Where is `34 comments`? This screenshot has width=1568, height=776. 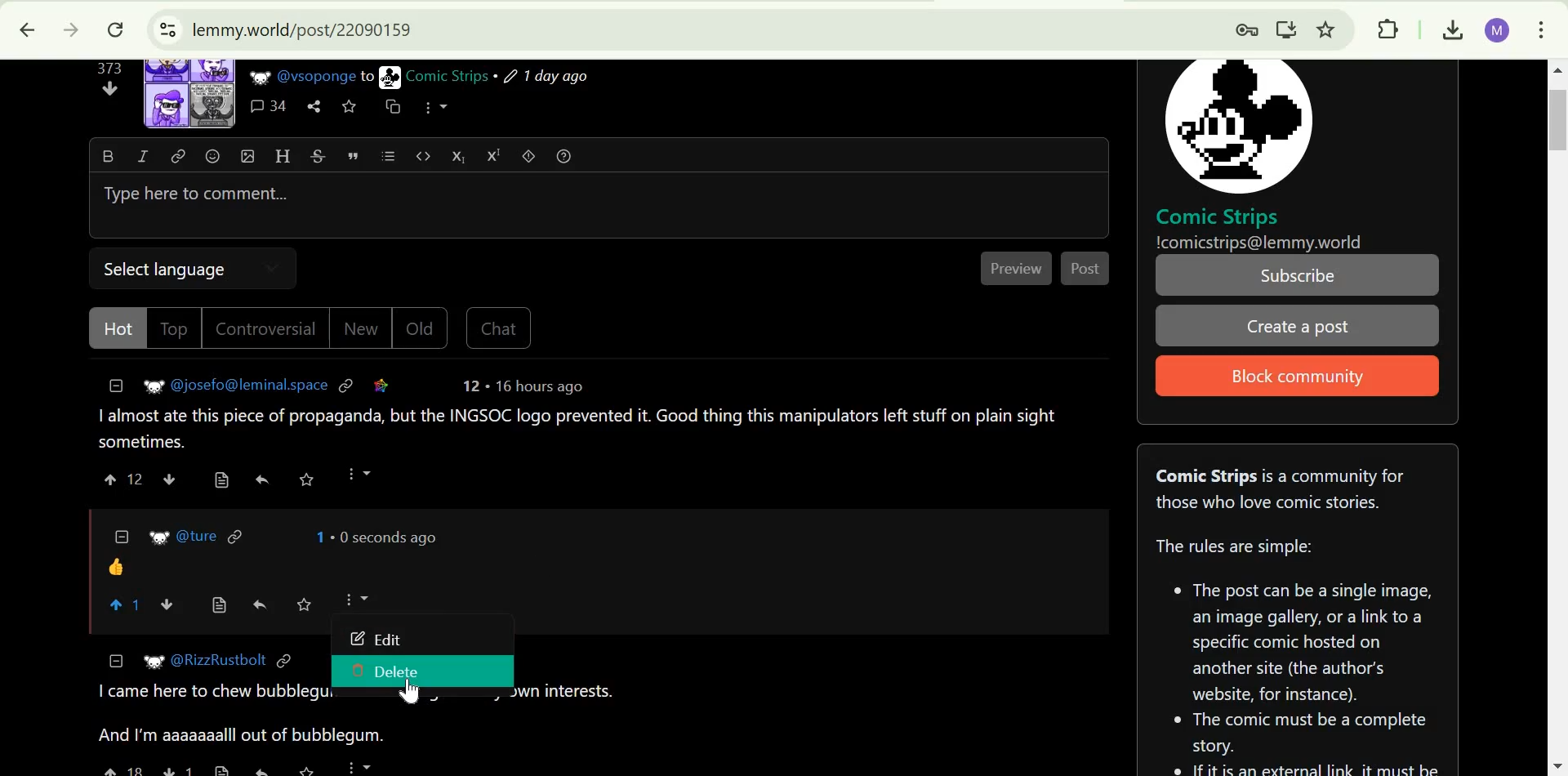 34 comments is located at coordinates (269, 107).